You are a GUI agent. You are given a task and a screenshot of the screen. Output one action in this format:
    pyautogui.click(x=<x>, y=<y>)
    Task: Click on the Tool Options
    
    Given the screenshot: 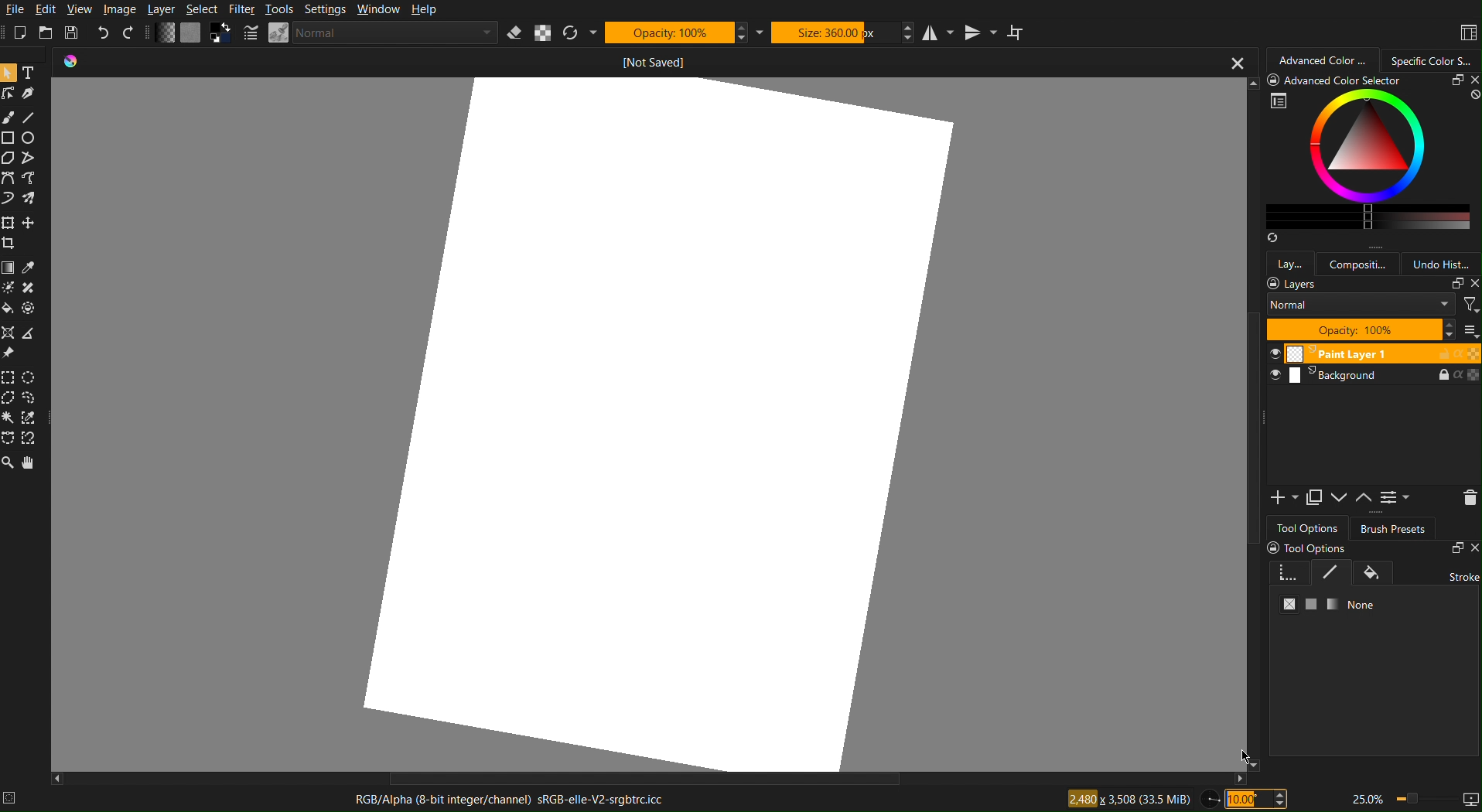 What is the action you would take?
    pyautogui.click(x=1373, y=588)
    